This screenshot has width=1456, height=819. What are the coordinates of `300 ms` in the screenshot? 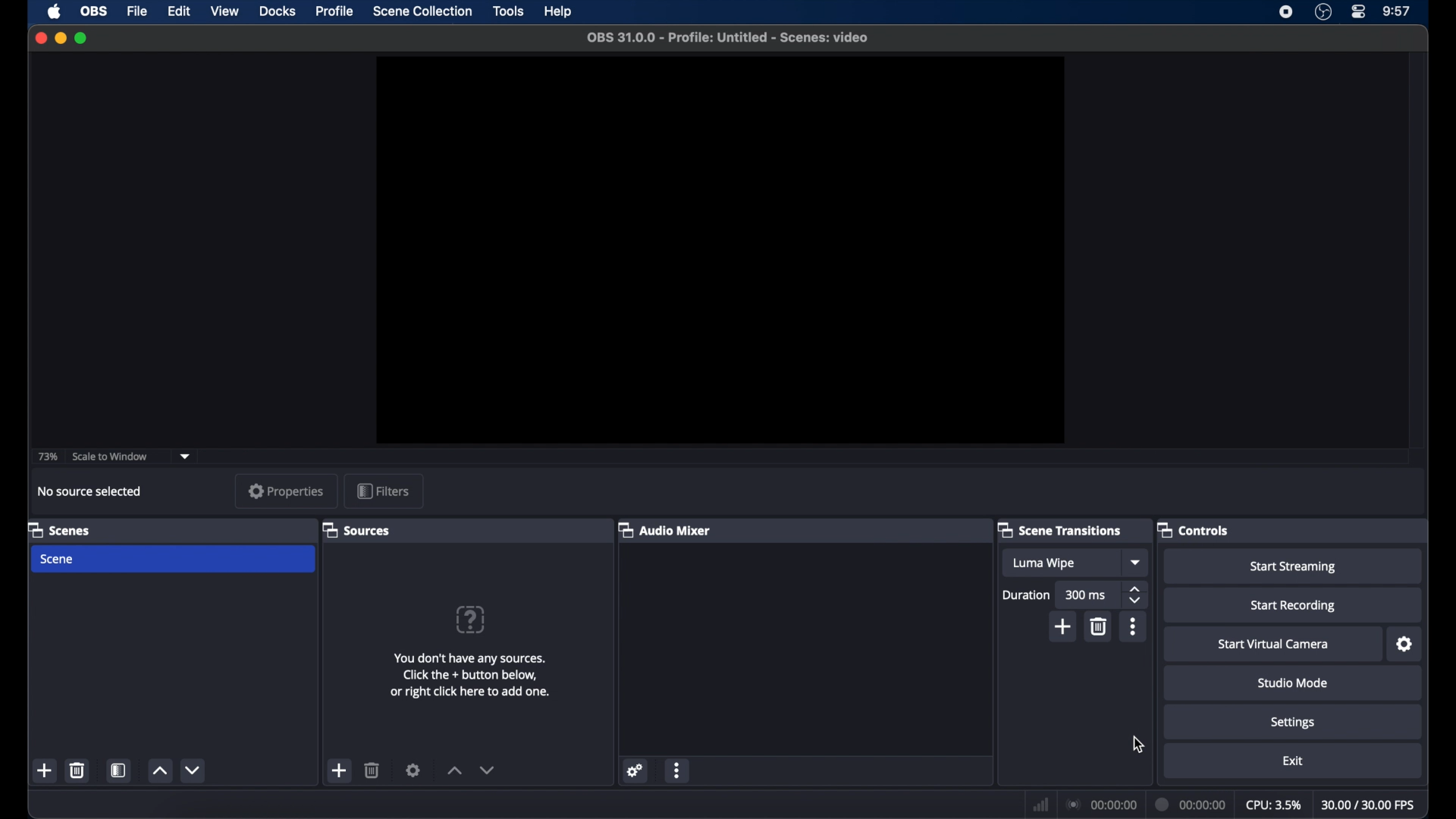 It's located at (1087, 595).